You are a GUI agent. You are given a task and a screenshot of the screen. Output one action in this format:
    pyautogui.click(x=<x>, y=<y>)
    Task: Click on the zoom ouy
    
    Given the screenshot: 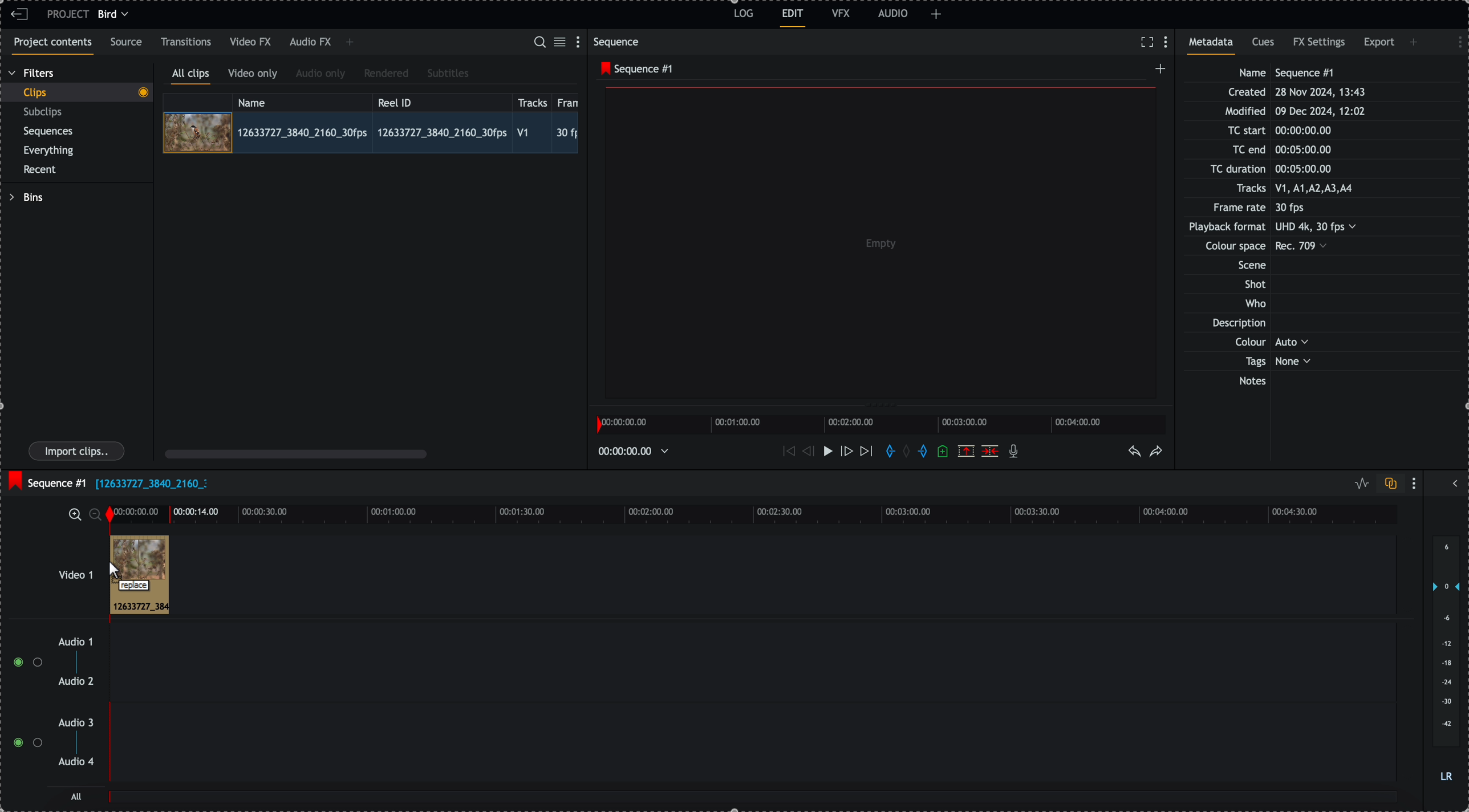 What is the action you would take?
    pyautogui.click(x=96, y=514)
    